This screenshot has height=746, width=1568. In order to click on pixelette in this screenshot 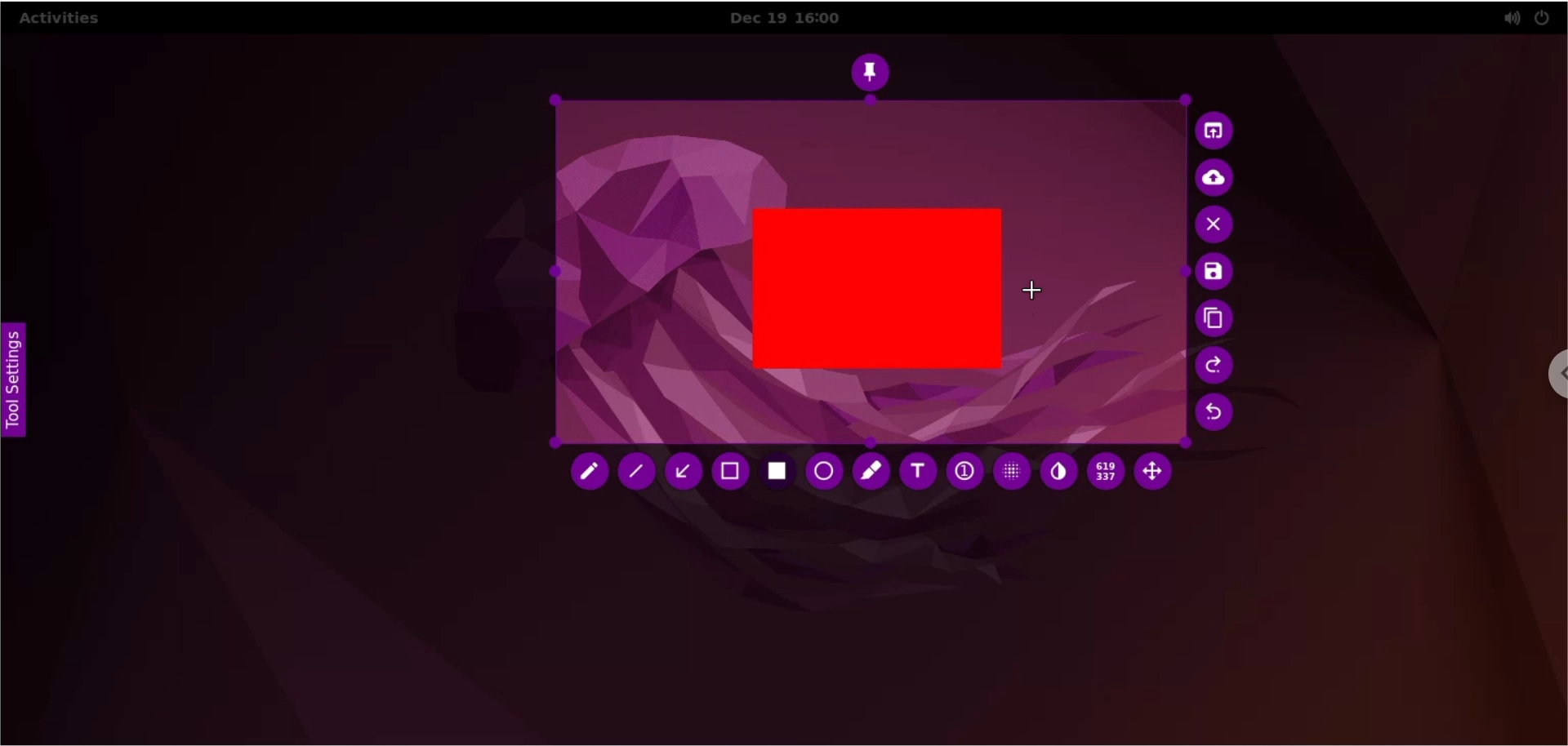, I will do `click(1008, 475)`.